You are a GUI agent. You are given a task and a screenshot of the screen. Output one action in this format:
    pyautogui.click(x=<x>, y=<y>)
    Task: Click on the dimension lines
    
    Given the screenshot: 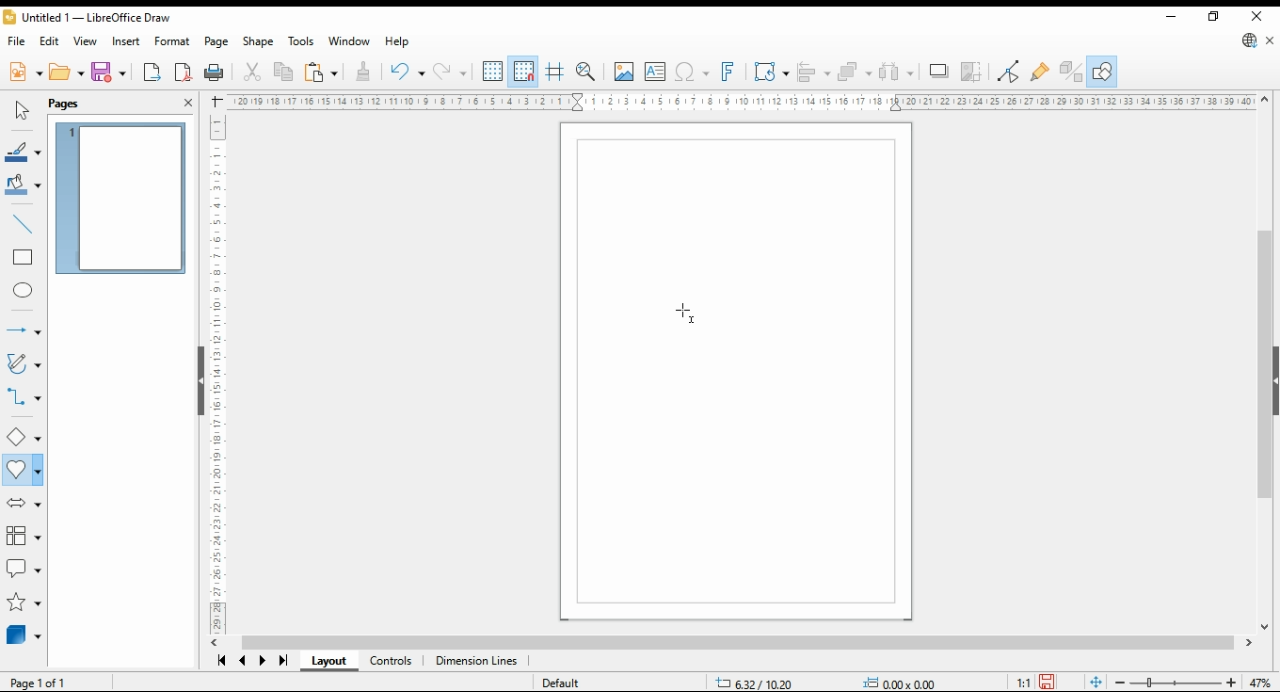 What is the action you would take?
    pyautogui.click(x=477, y=662)
    